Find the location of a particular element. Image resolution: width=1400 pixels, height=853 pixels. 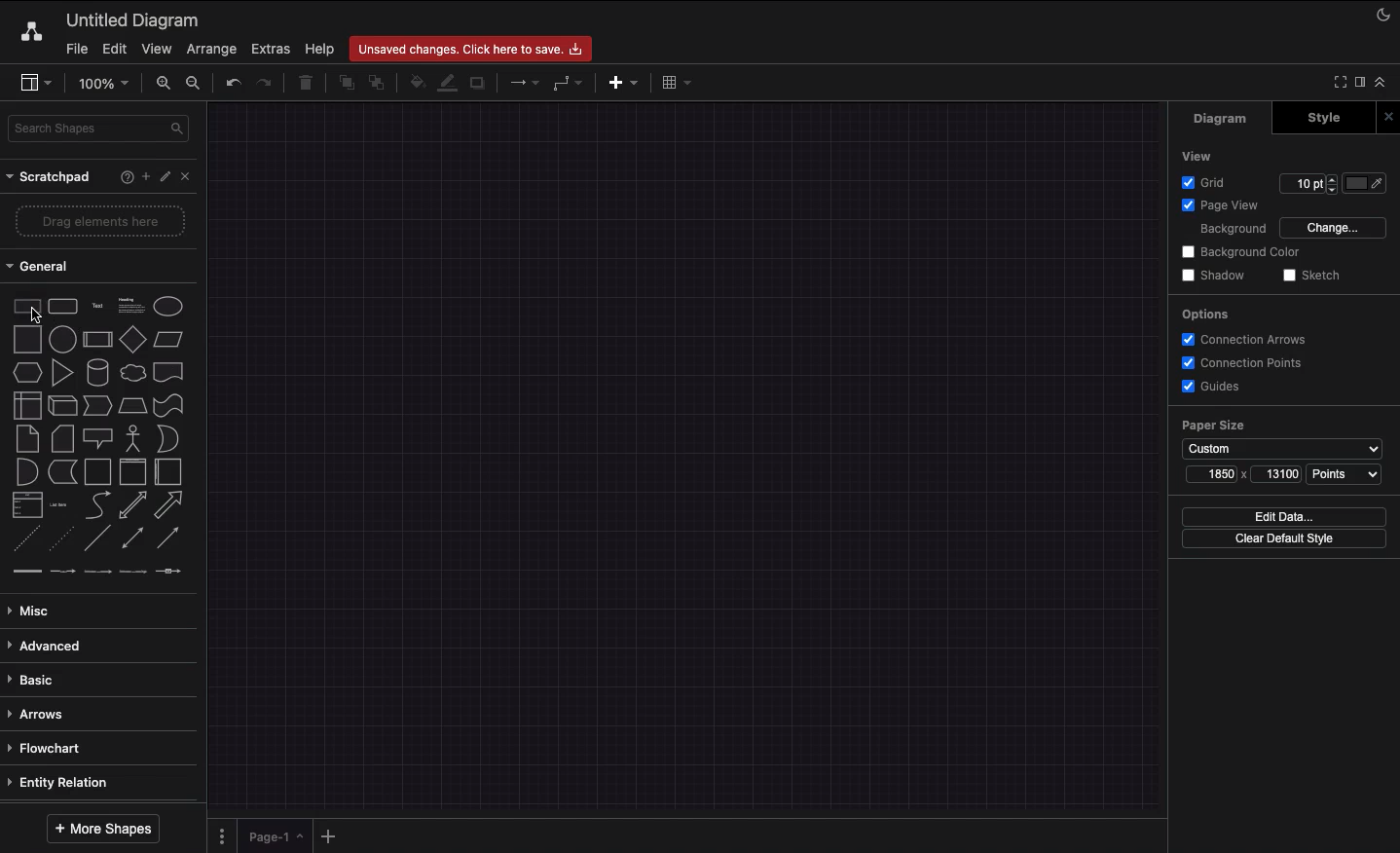

Zoom in is located at coordinates (164, 83).